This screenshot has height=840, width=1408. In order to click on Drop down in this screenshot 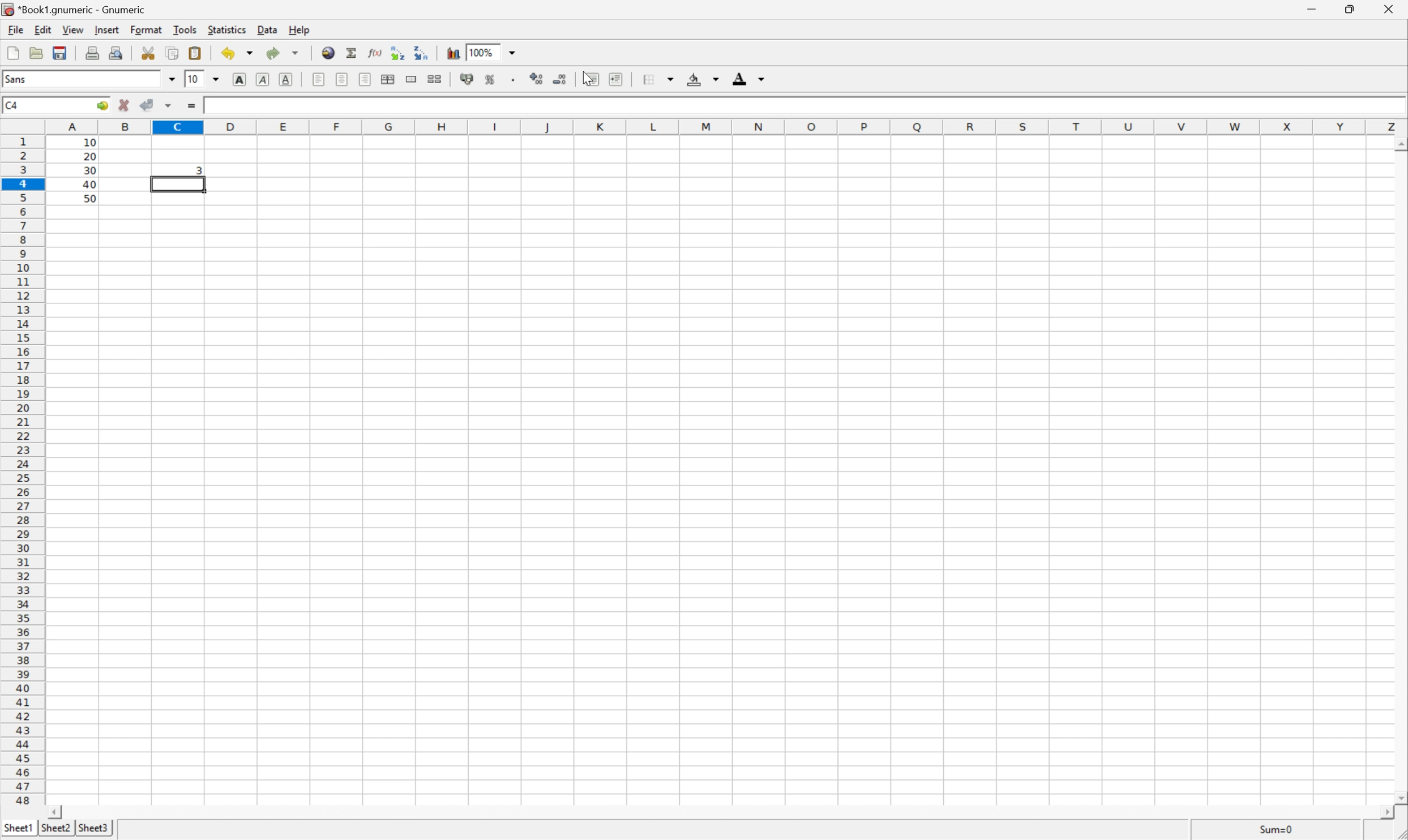, I will do `click(514, 51)`.